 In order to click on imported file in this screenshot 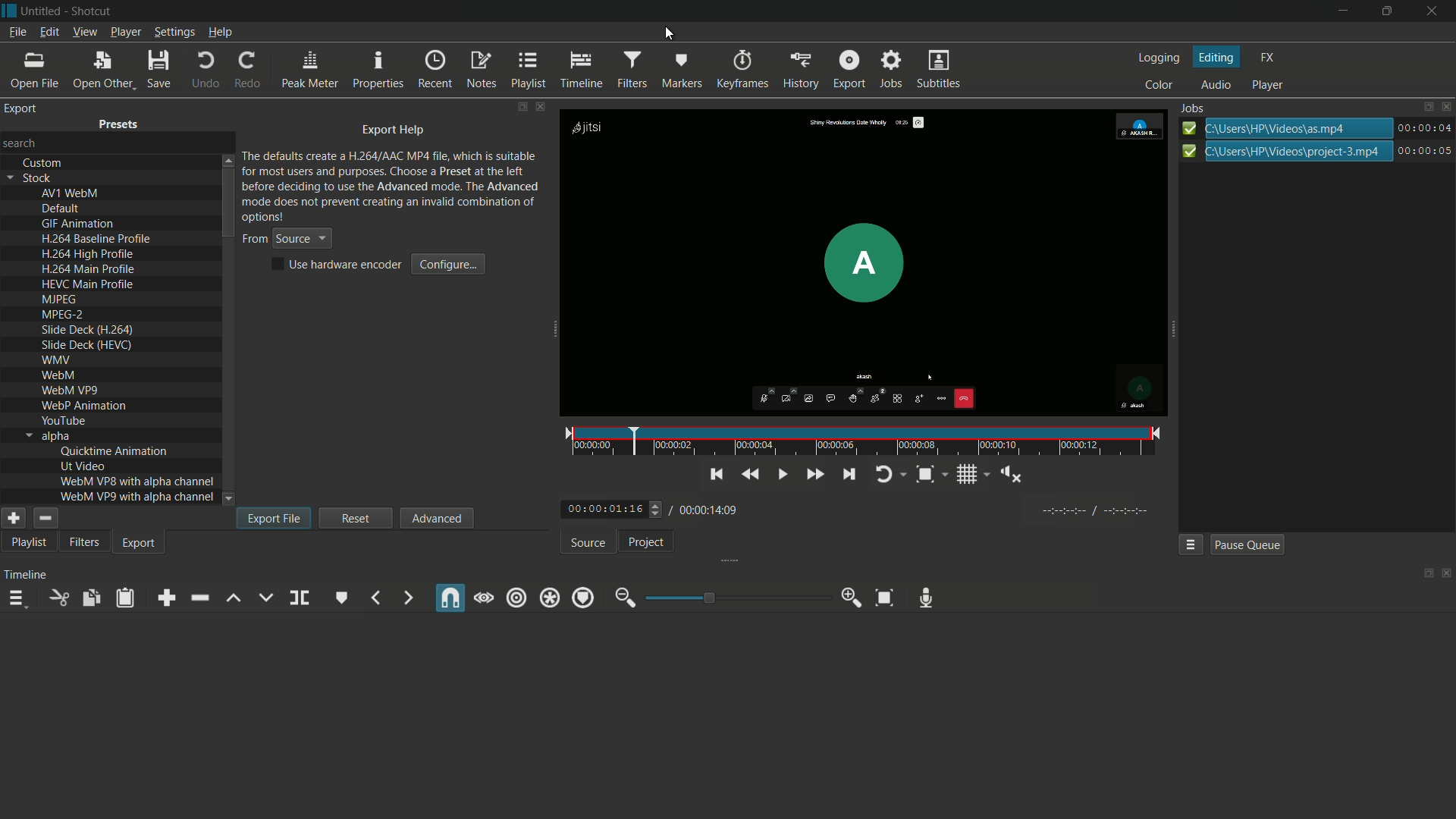, I will do `click(863, 281)`.